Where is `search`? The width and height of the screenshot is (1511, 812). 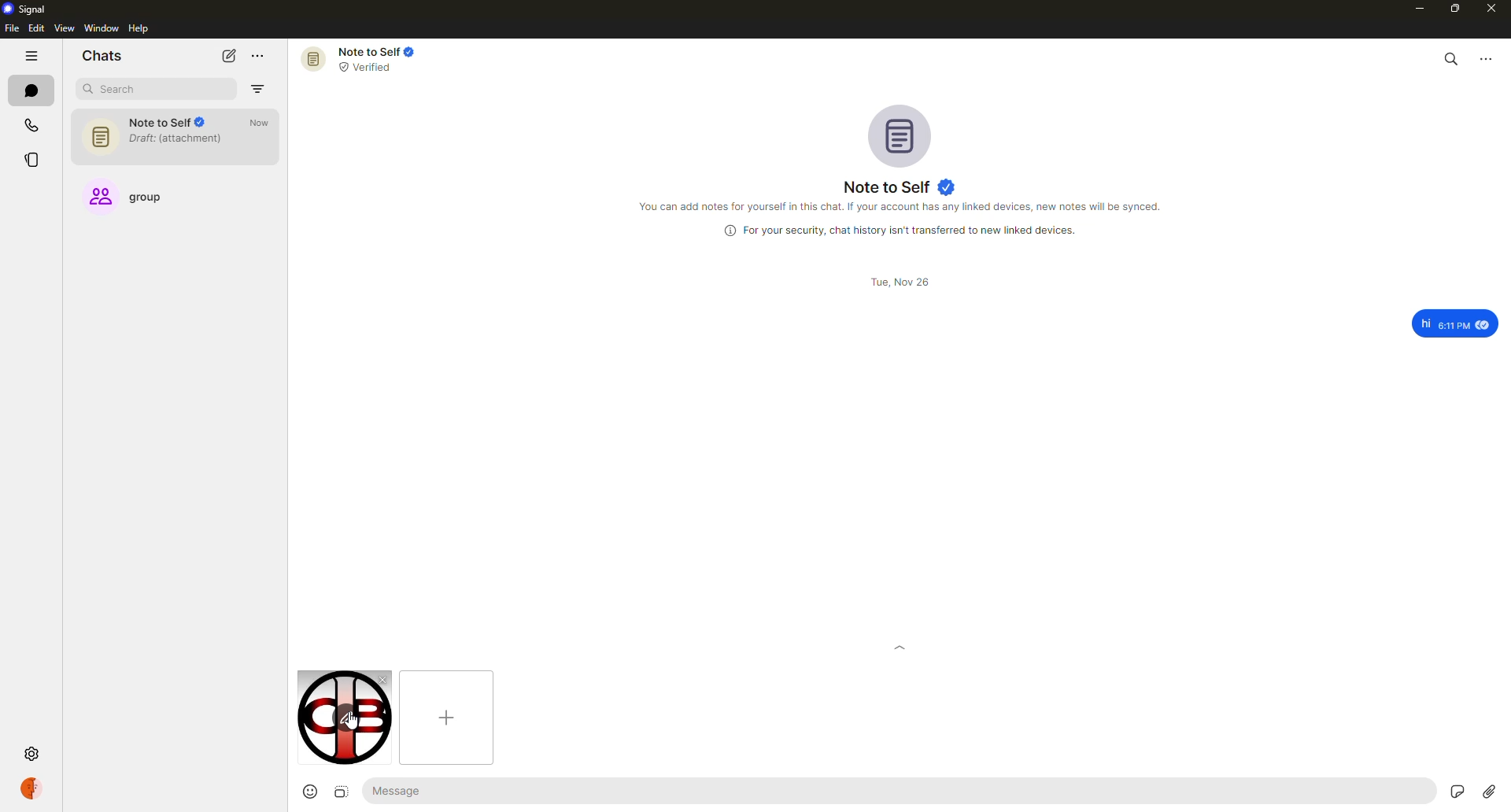 search is located at coordinates (1450, 56).